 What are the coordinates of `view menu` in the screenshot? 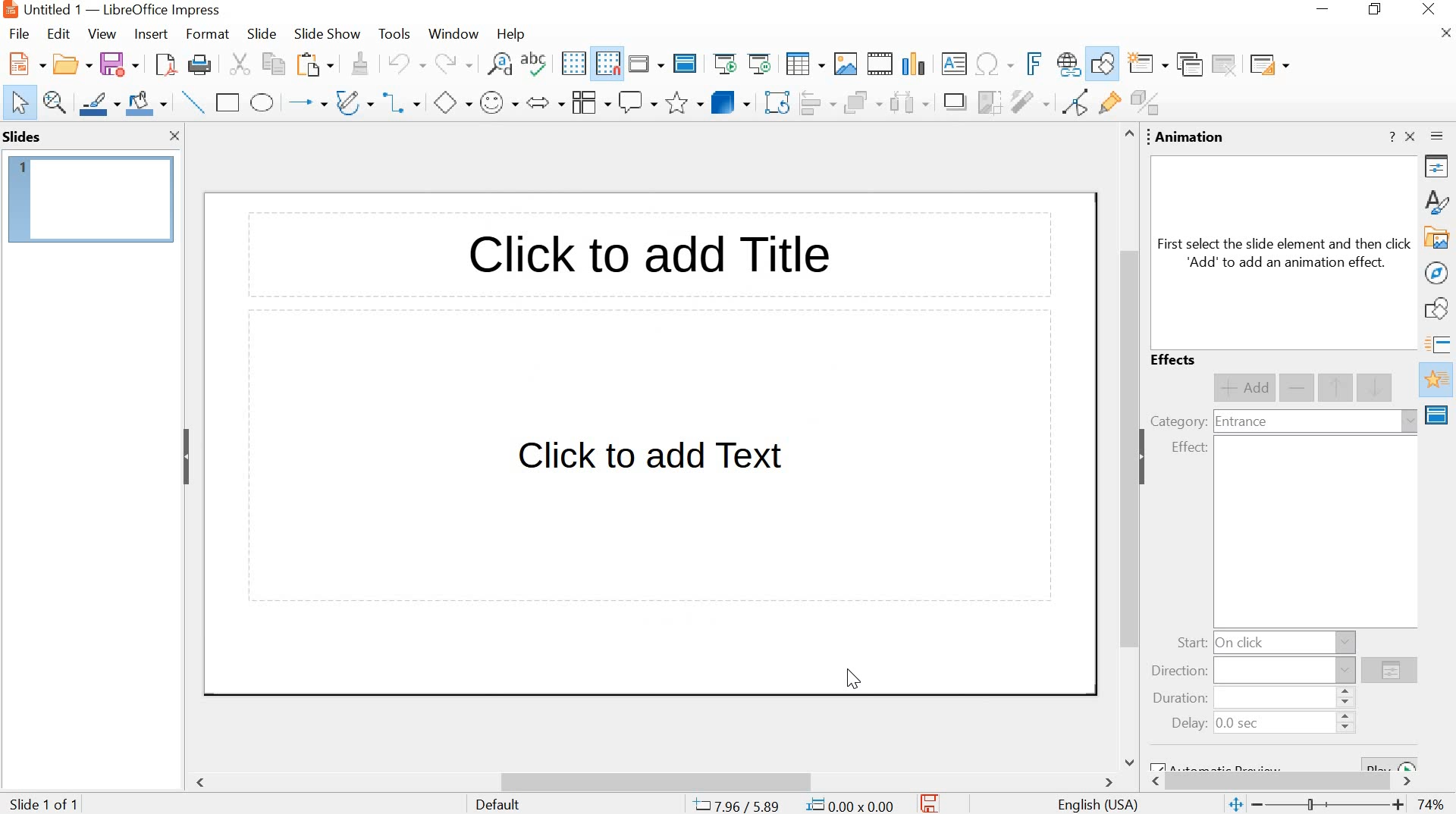 It's located at (102, 34).